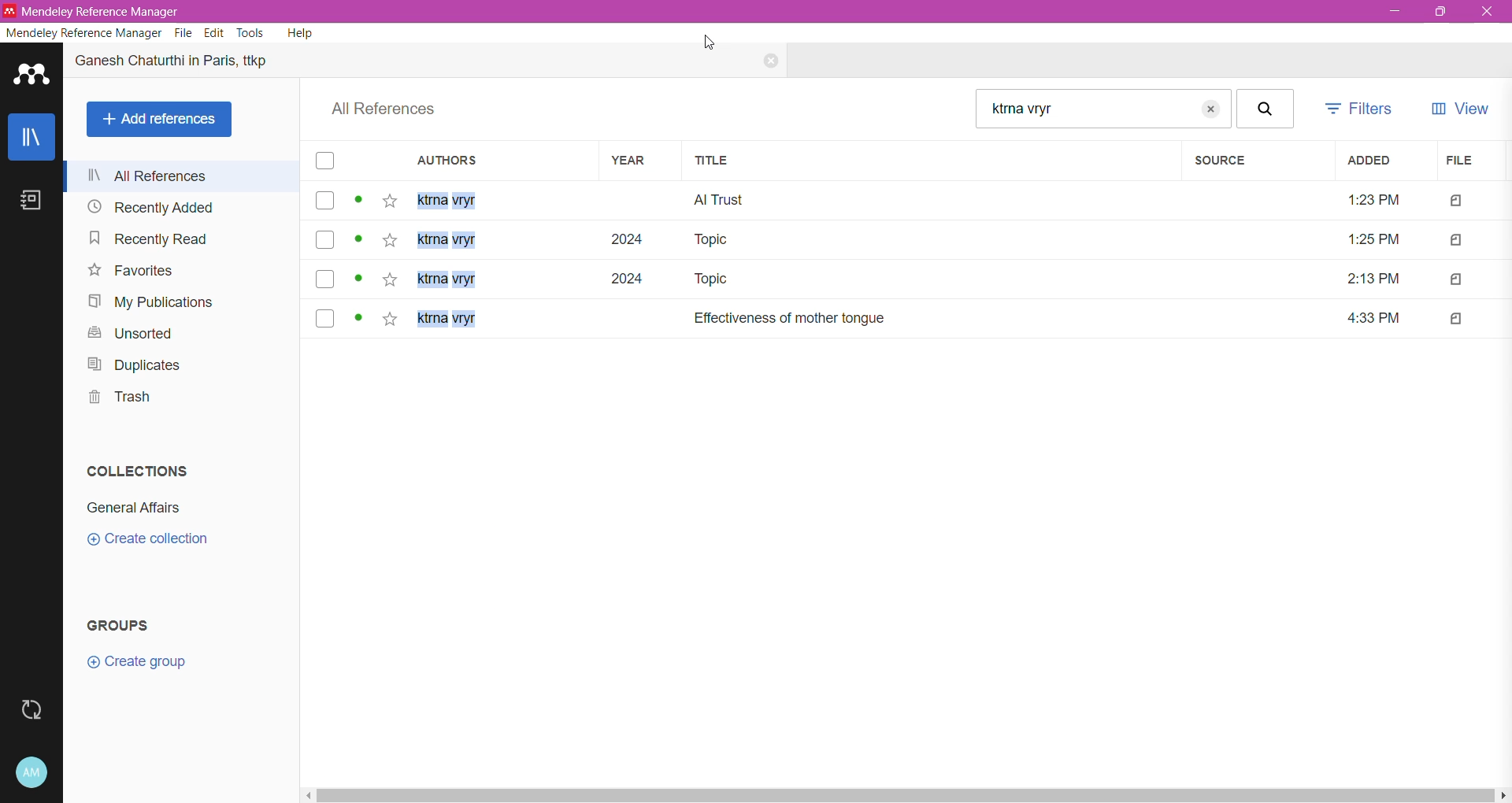 The width and height of the screenshot is (1512, 803). I want to click on Title, so click(932, 160).